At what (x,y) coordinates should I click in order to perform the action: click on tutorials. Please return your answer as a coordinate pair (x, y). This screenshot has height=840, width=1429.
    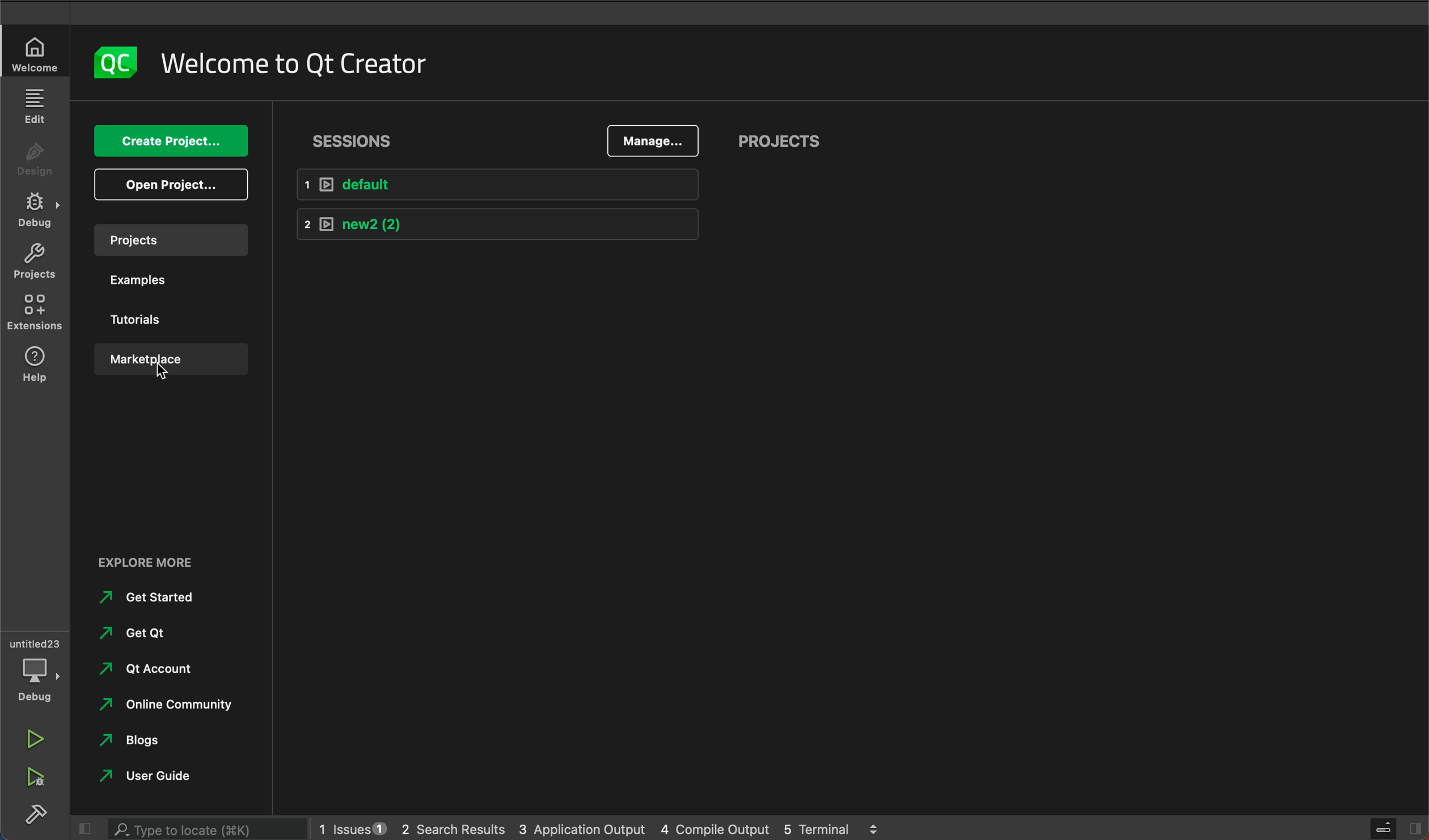
    Looking at the image, I should click on (166, 320).